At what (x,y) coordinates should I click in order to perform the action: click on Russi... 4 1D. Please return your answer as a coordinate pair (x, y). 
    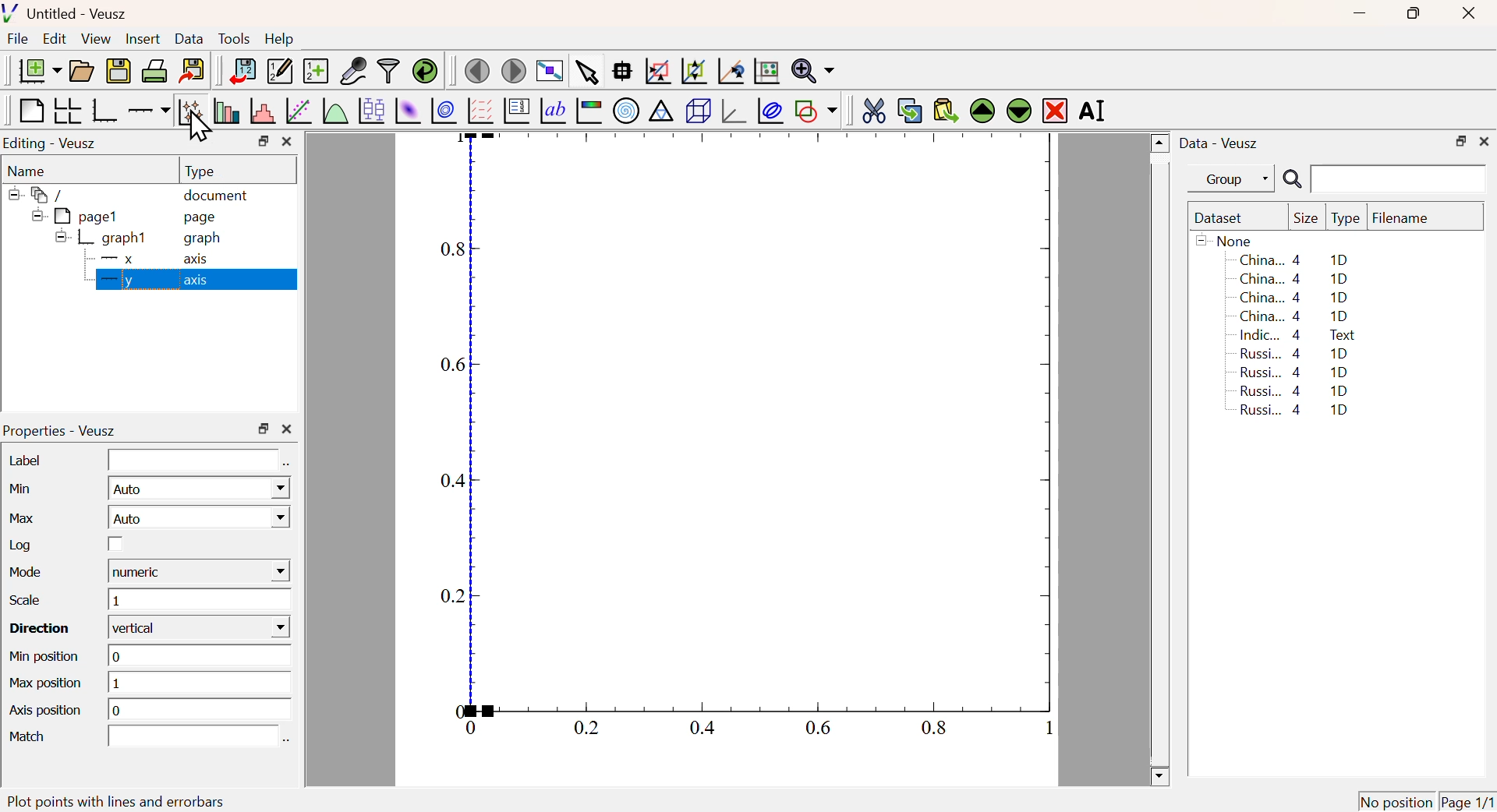
    Looking at the image, I should click on (1297, 411).